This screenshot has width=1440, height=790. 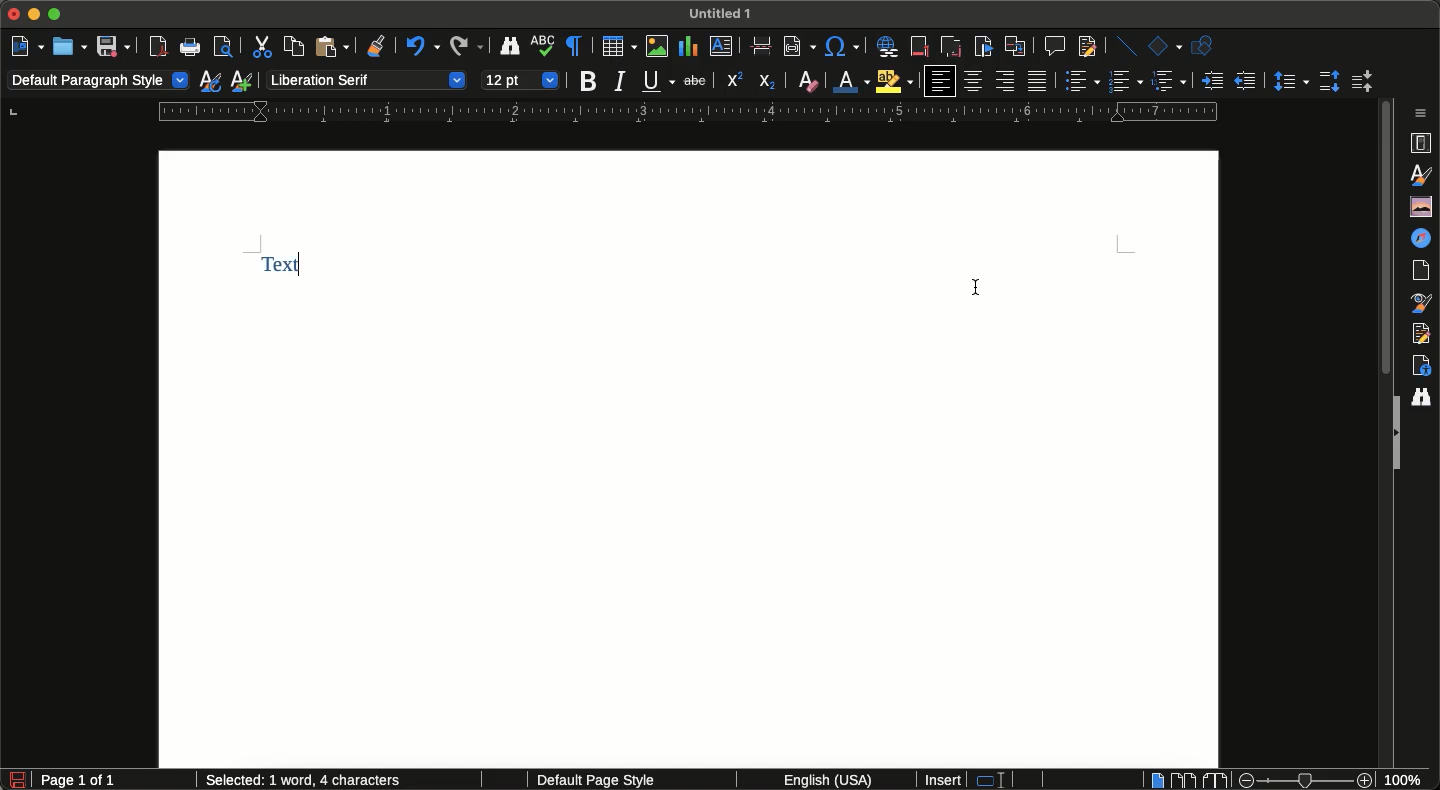 I want to click on Clear direct formatting, so click(x=808, y=81).